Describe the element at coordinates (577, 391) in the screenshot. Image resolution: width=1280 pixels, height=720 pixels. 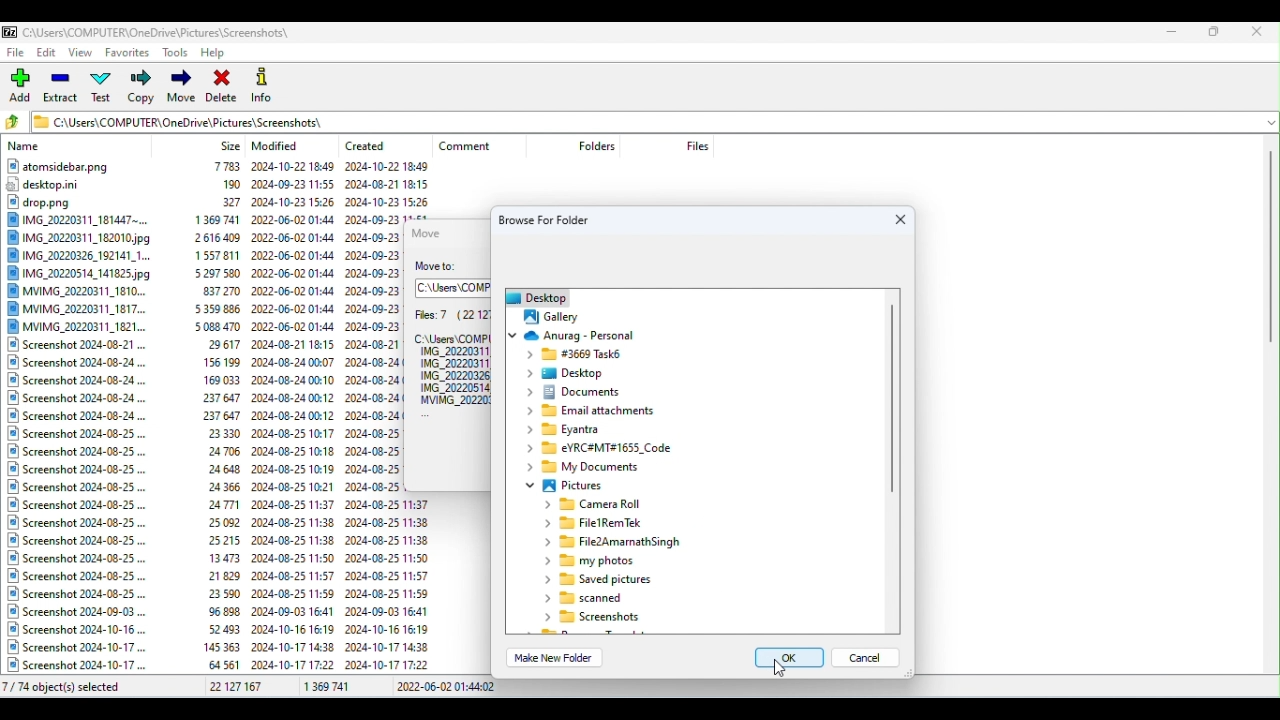
I see `Documents` at that location.